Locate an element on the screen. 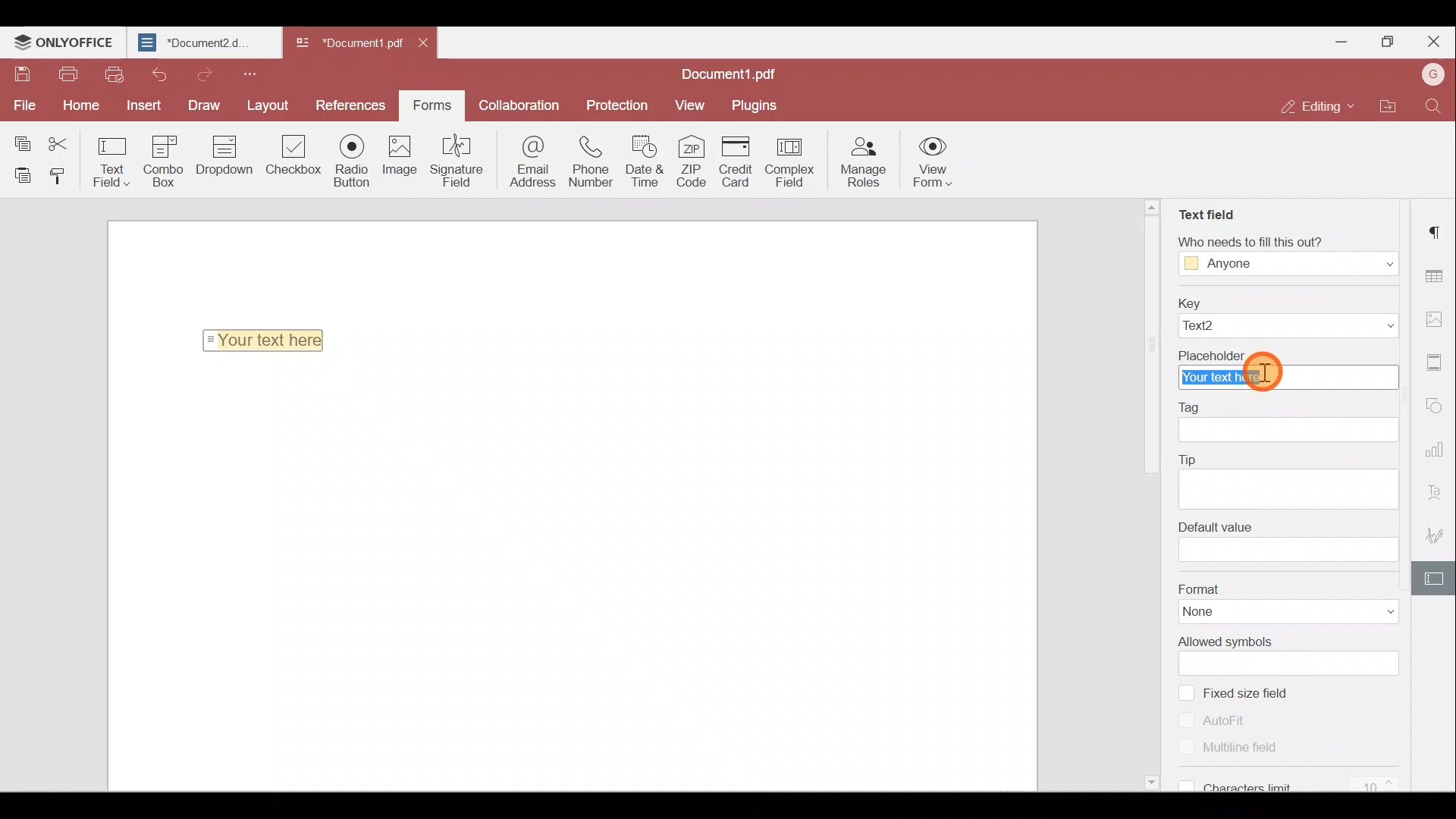 Image resolution: width=1456 pixels, height=819 pixels. Home is located at coordinates (85, 104).